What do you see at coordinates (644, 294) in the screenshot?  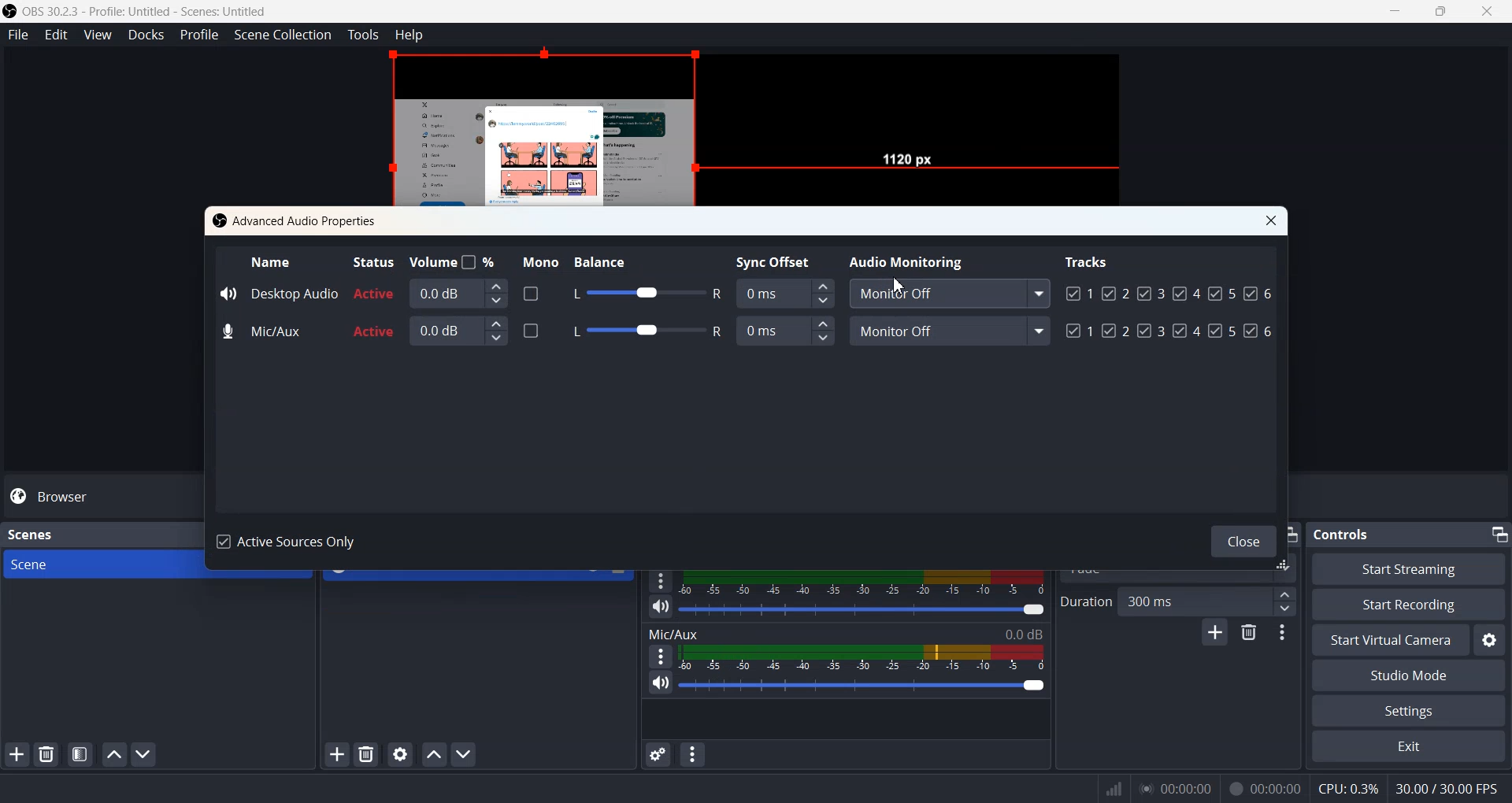 I see `Balance adjuster` at bounding box center [644, 294].